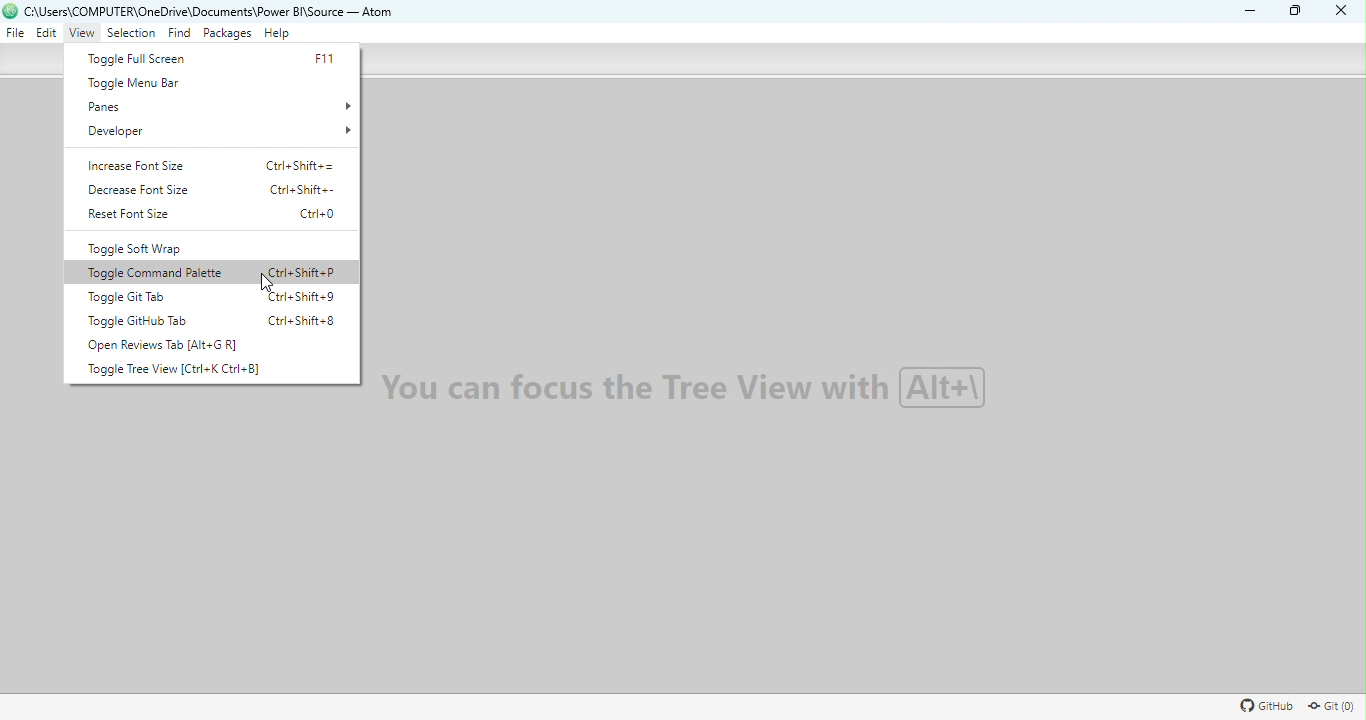  I want to click on Decrease font size, so click(210, 188).